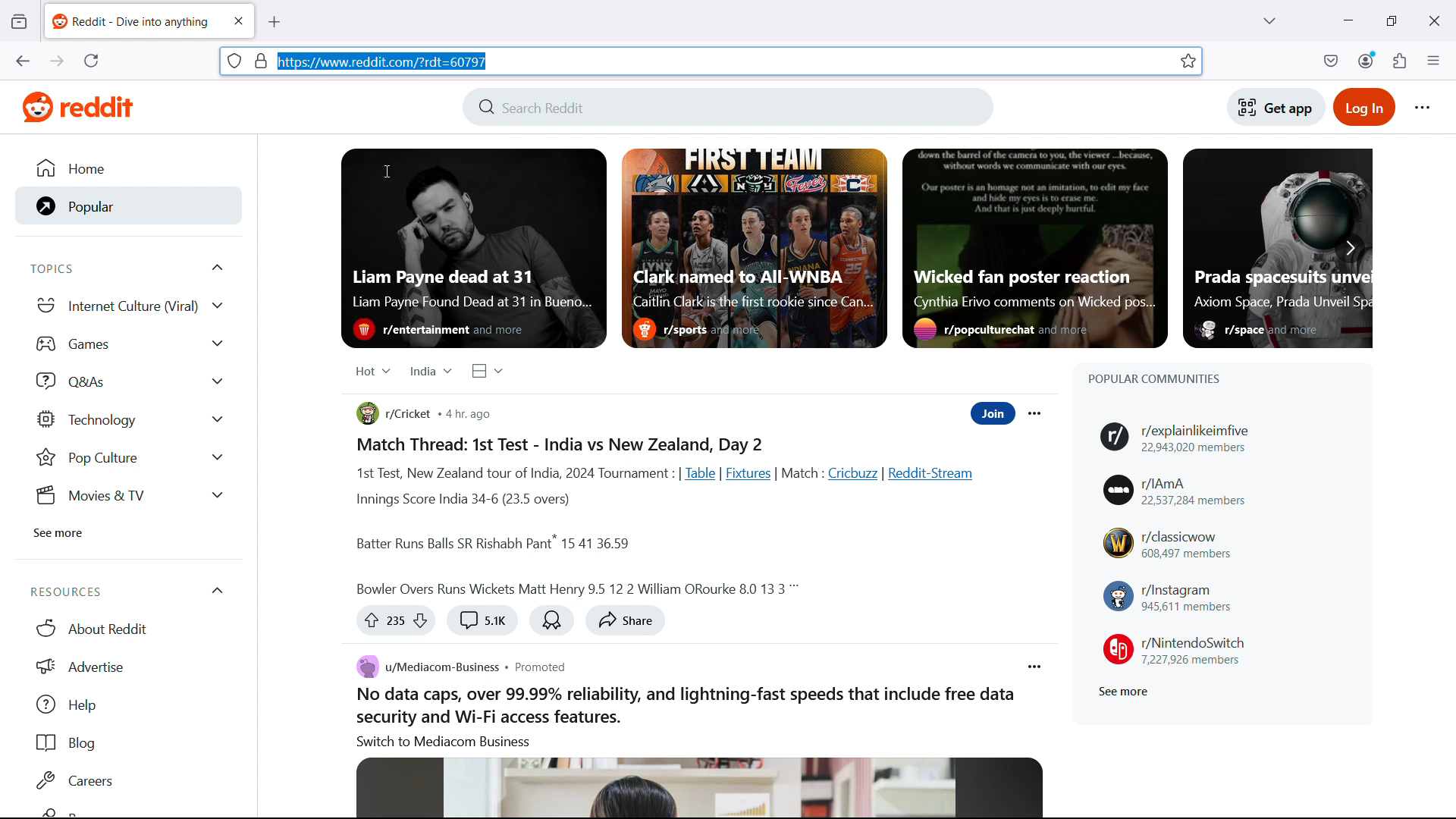 Image resolution: width=1456 pixels, height=819 pixels. What do you see at coordinates (1154, 378) in the screenshot?
I see `Popular communities` at bounding box center [1154, 378].